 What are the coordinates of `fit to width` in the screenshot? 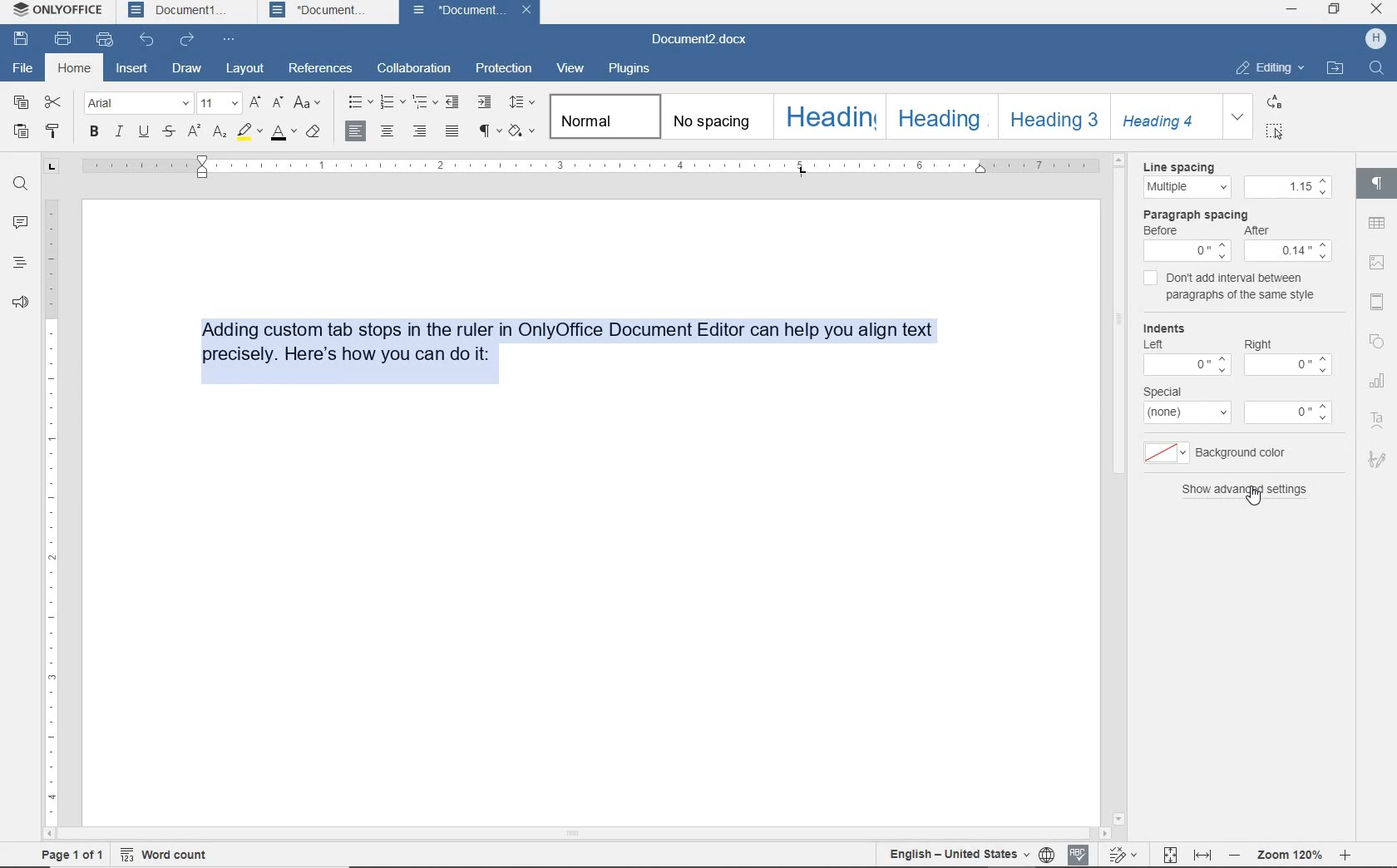 It's located at (1202, 855).